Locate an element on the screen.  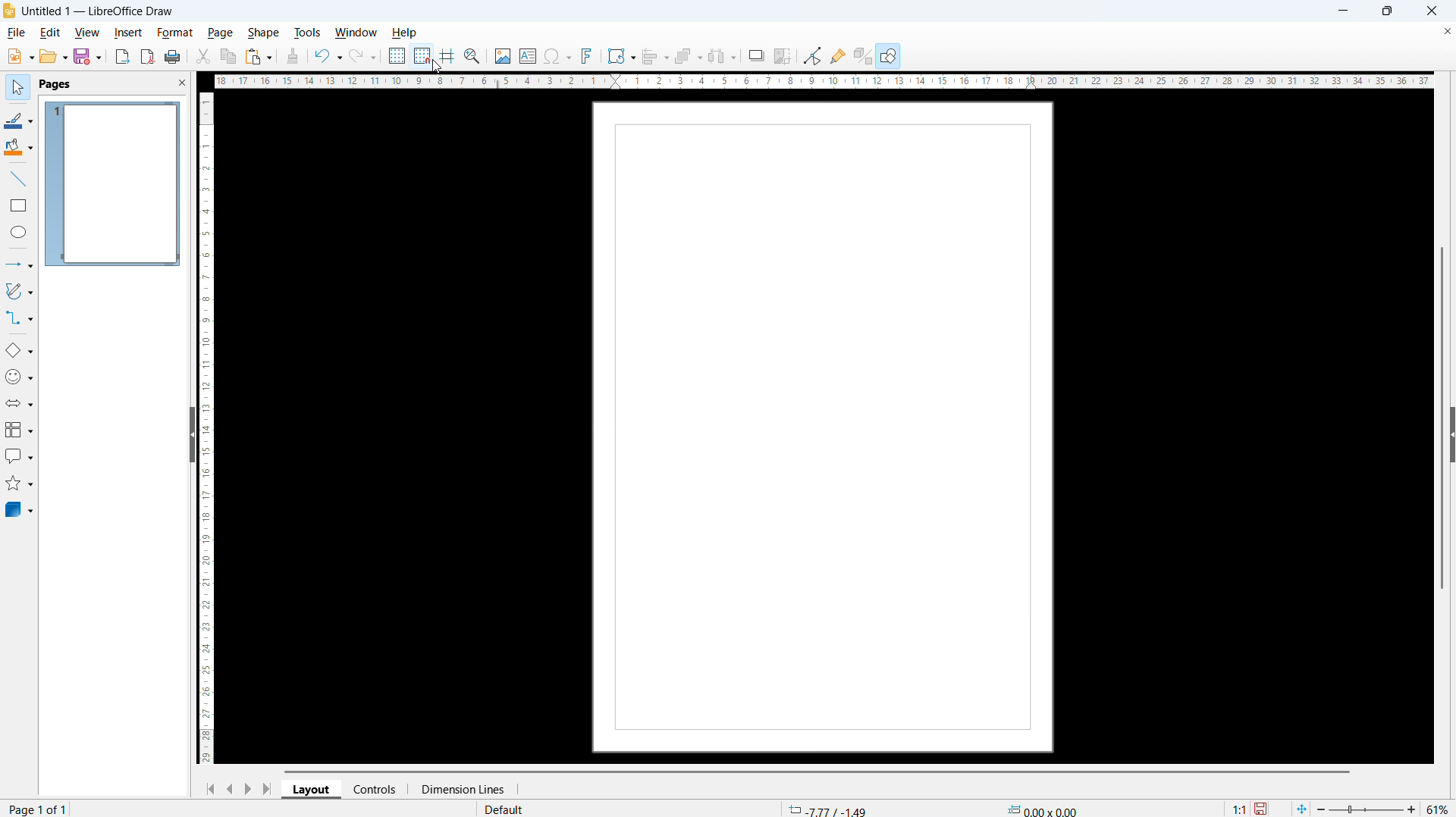
page 1 is located at coordinates (113, 184).